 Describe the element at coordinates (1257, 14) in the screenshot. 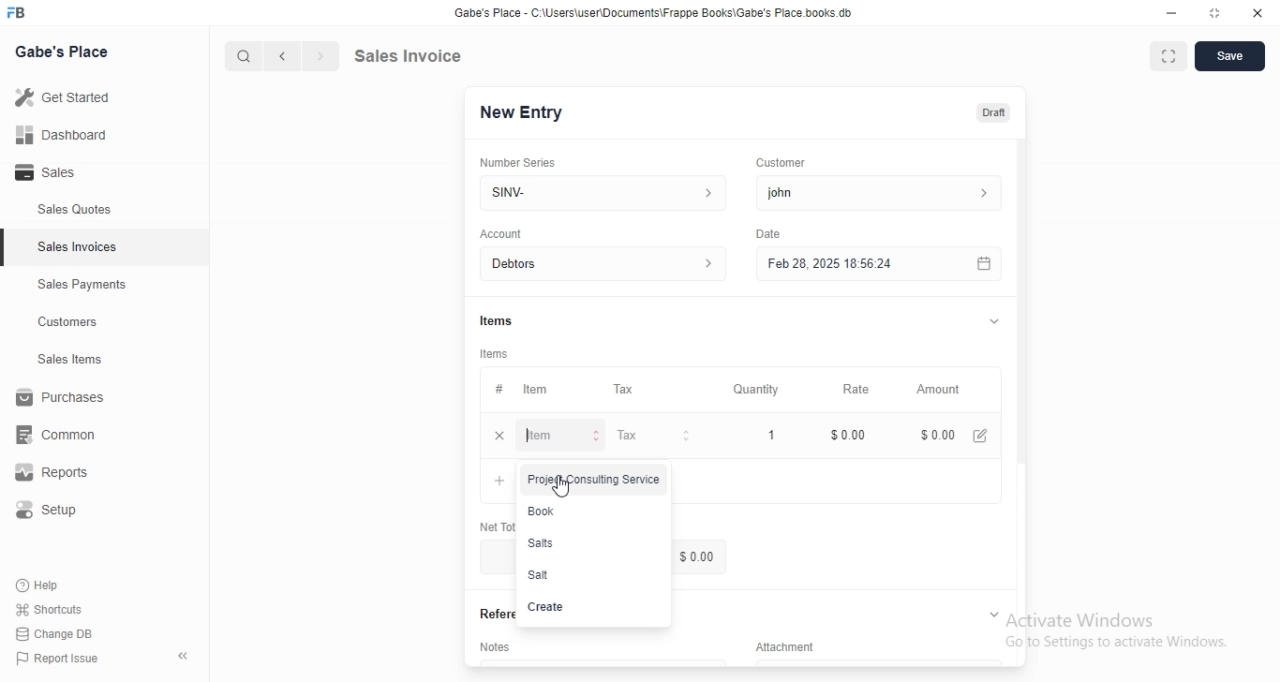

I see `close` at that location.